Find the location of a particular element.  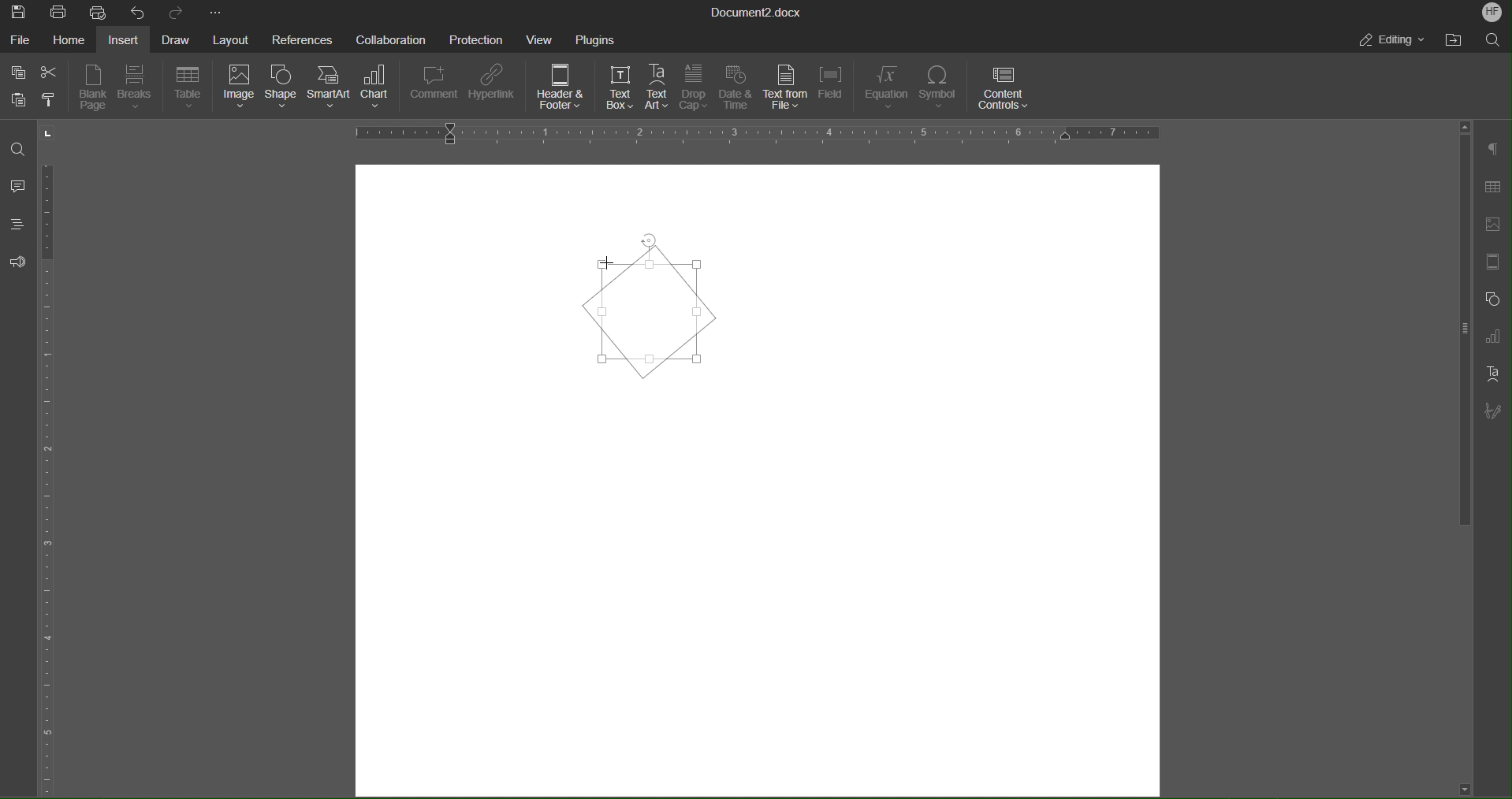

Shape Settings is located at coordinates (1490, 298).